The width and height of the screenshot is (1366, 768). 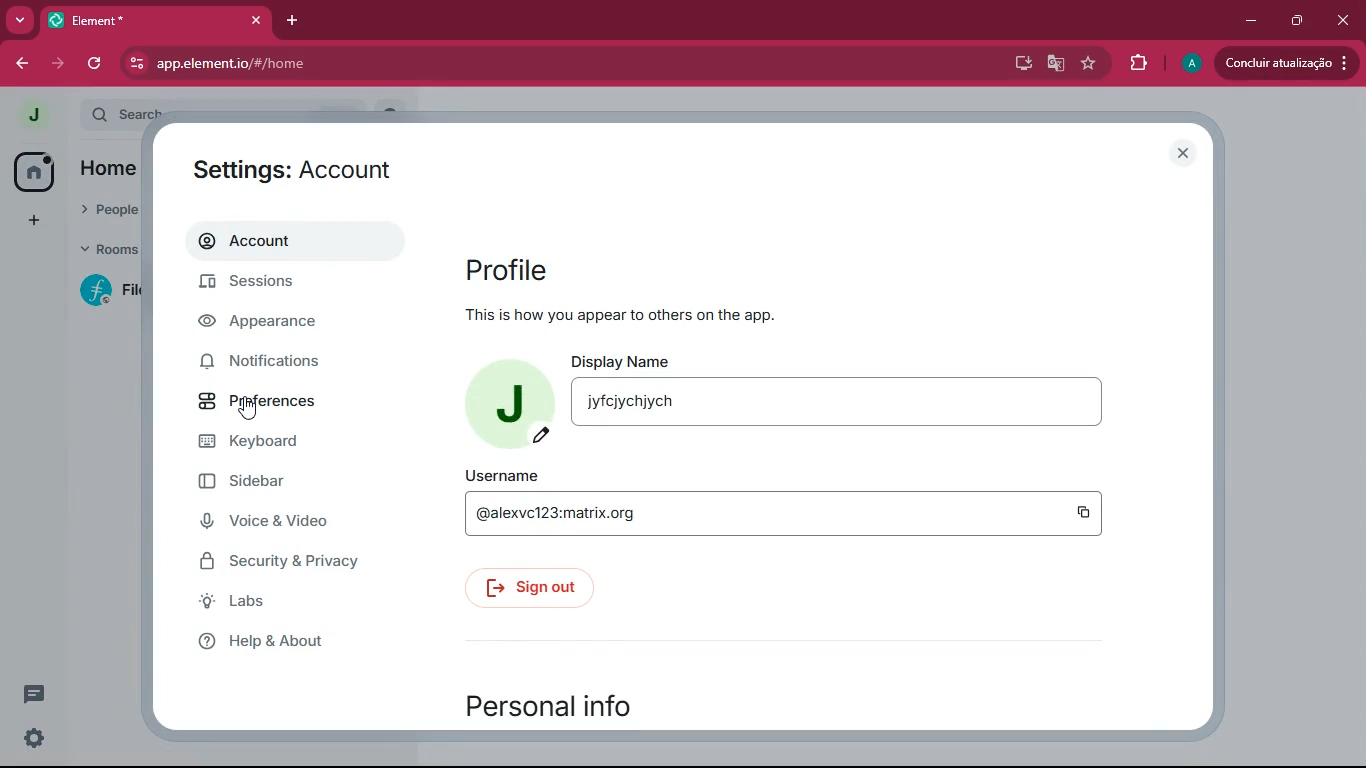 I want to click on favourite, so click(x=1086, y=64).